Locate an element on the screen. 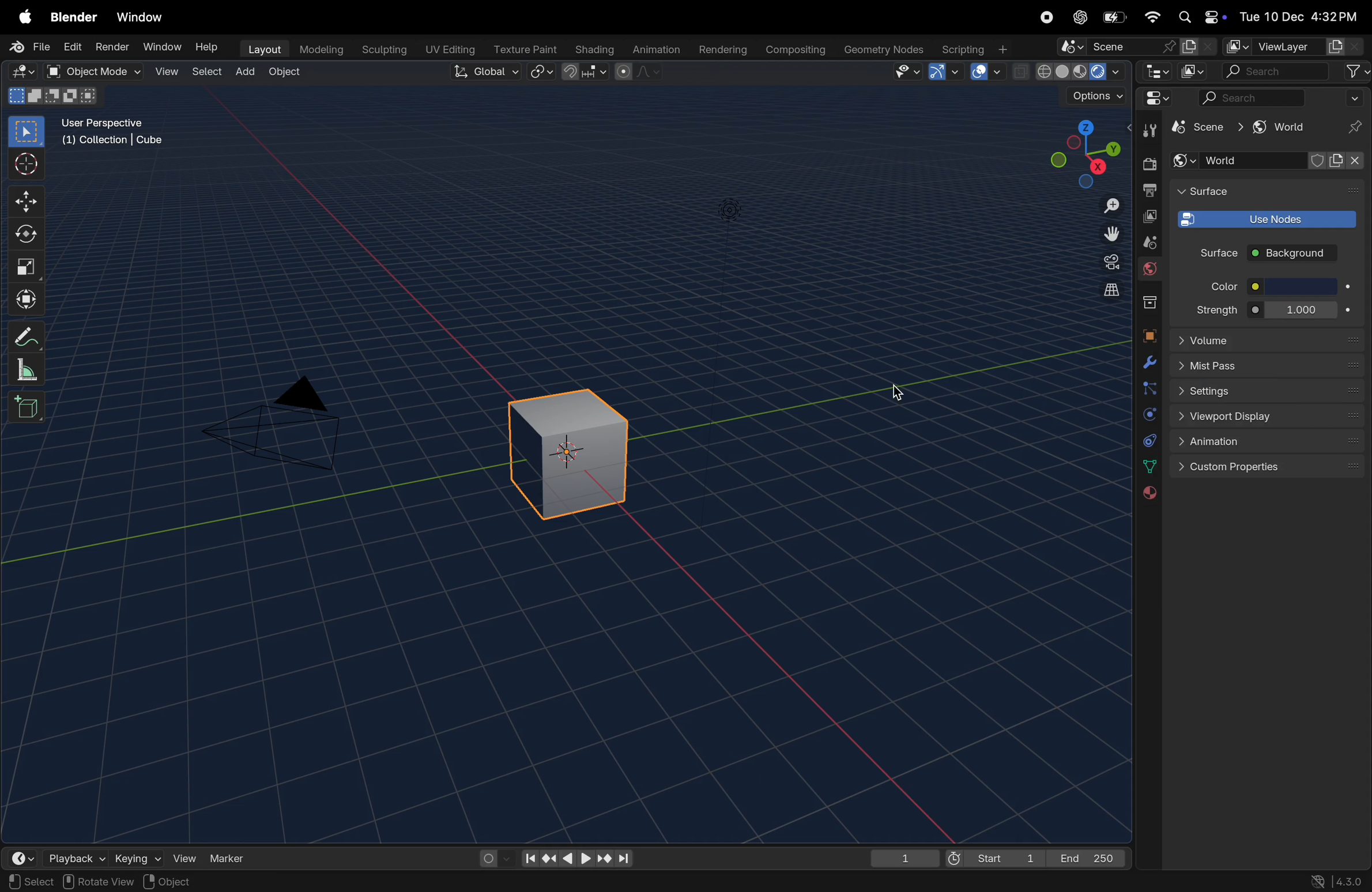 The image size is (1372, 892). snap is located at coordinates (586, 73).